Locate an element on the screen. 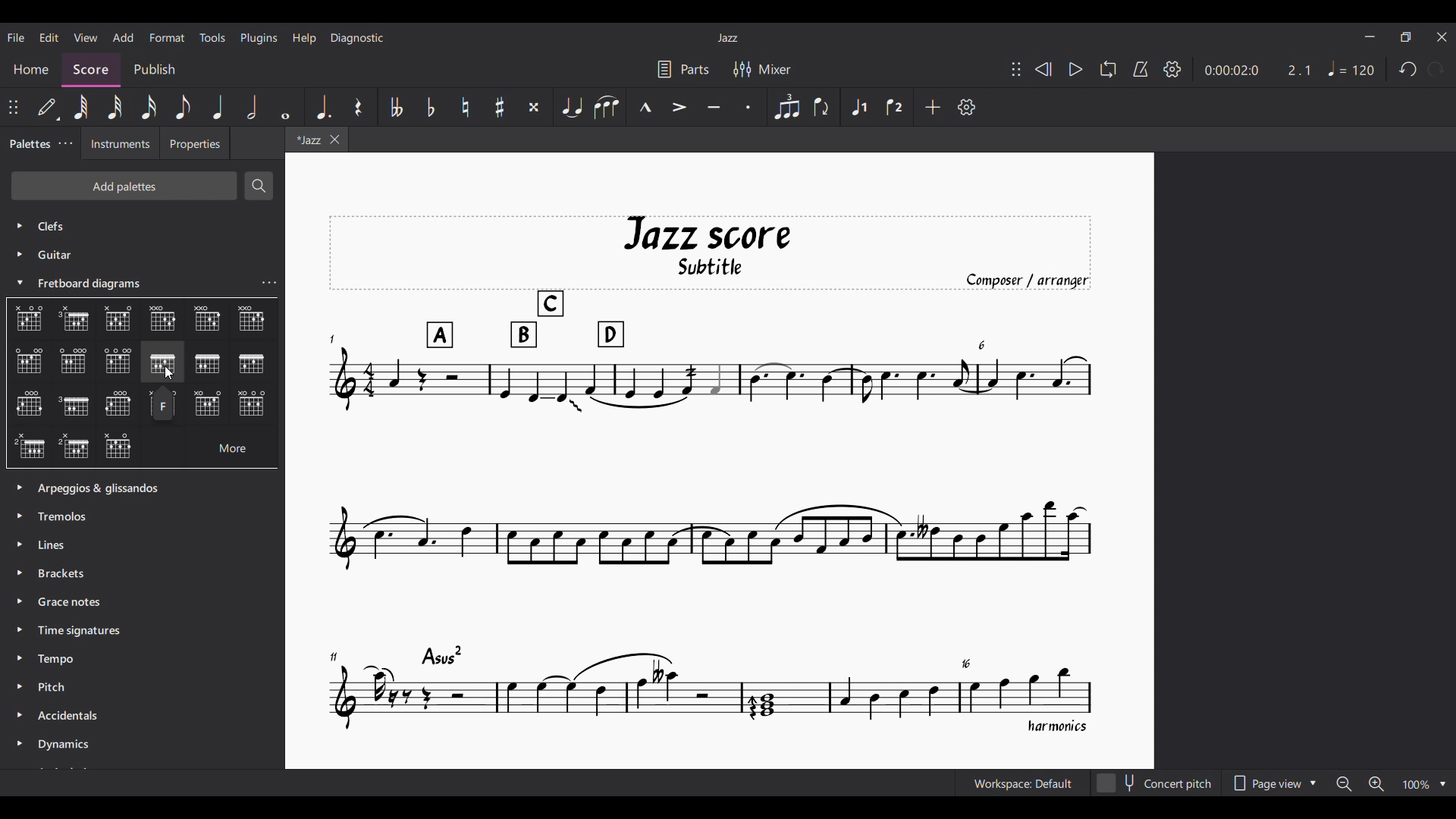 This screenshot has height=819, width=1456. Add menu is located at coordinates (124, 38).